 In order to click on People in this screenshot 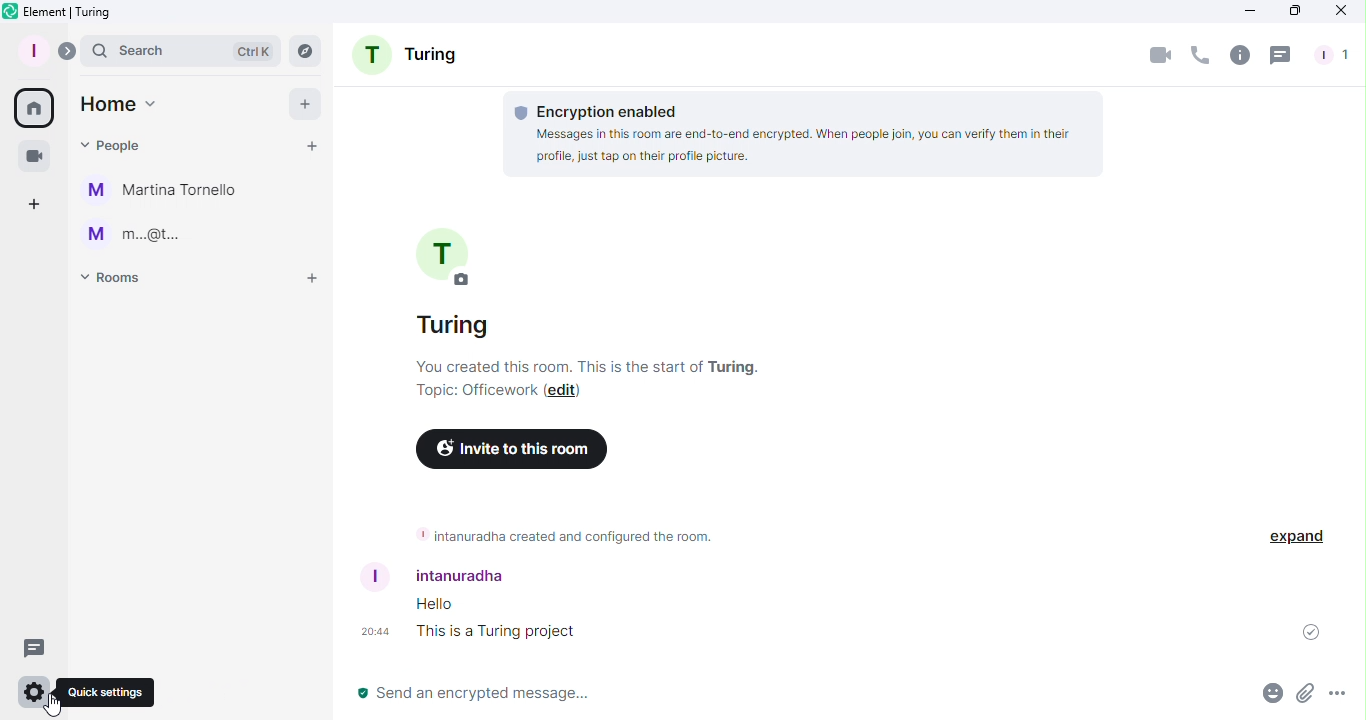, I will do `click(114, 145)`.